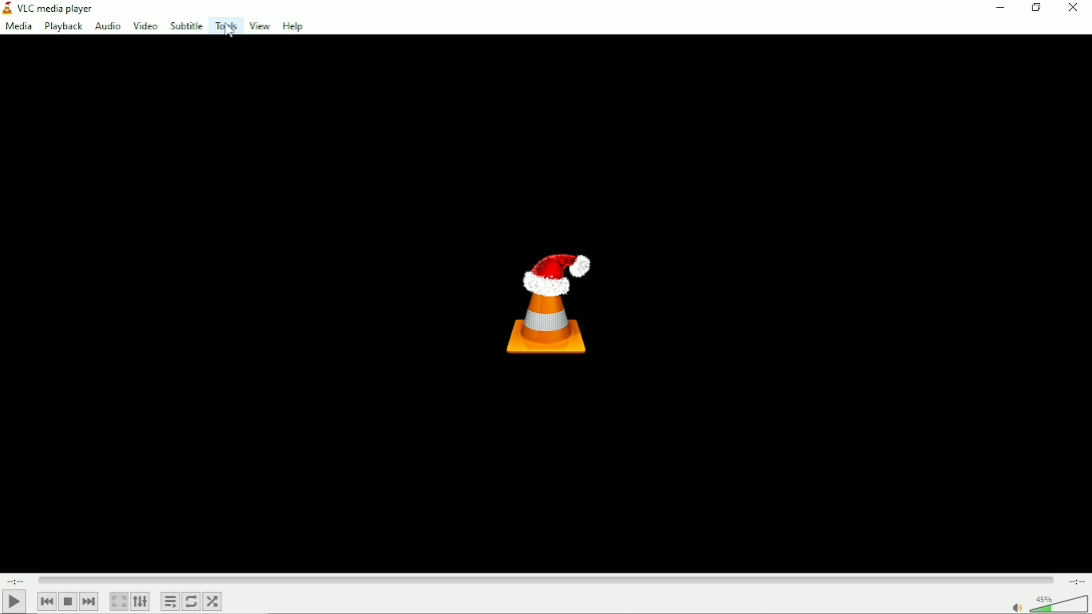  What do you see at coordinates (1077, 581) in the screenshot?
I see `Total duration` at bounding box center [1077, 581].